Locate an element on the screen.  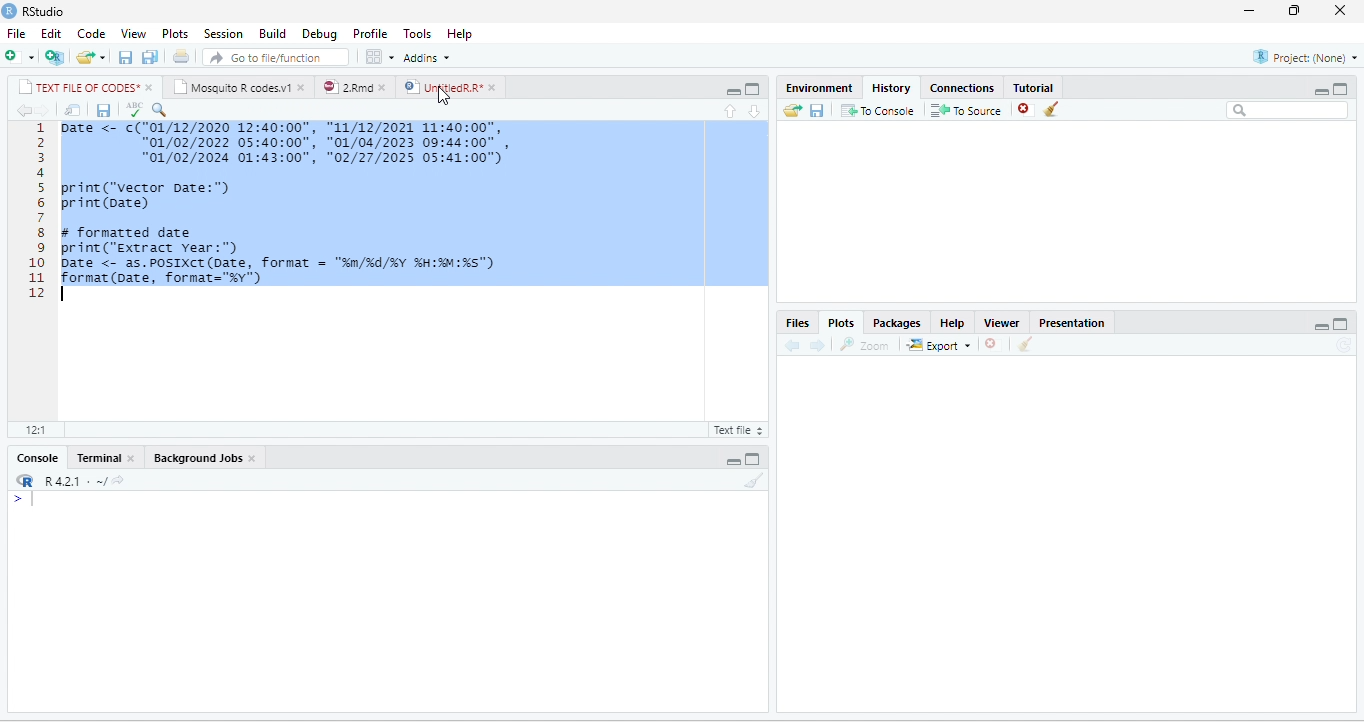
minimize is located at coordinates (1321, 91).